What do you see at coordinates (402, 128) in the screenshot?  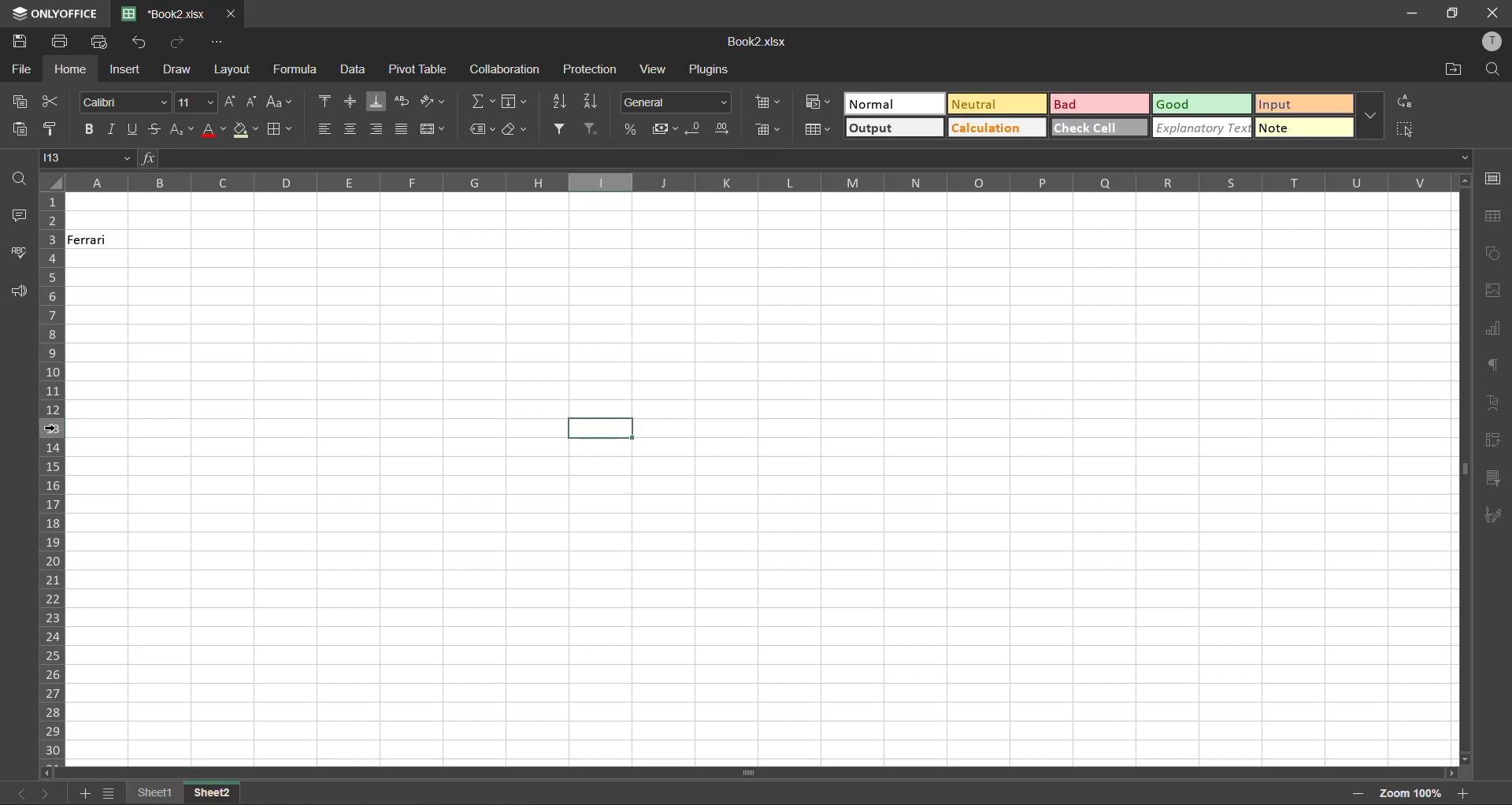 I see `justified` at bounding box center [402, 128].